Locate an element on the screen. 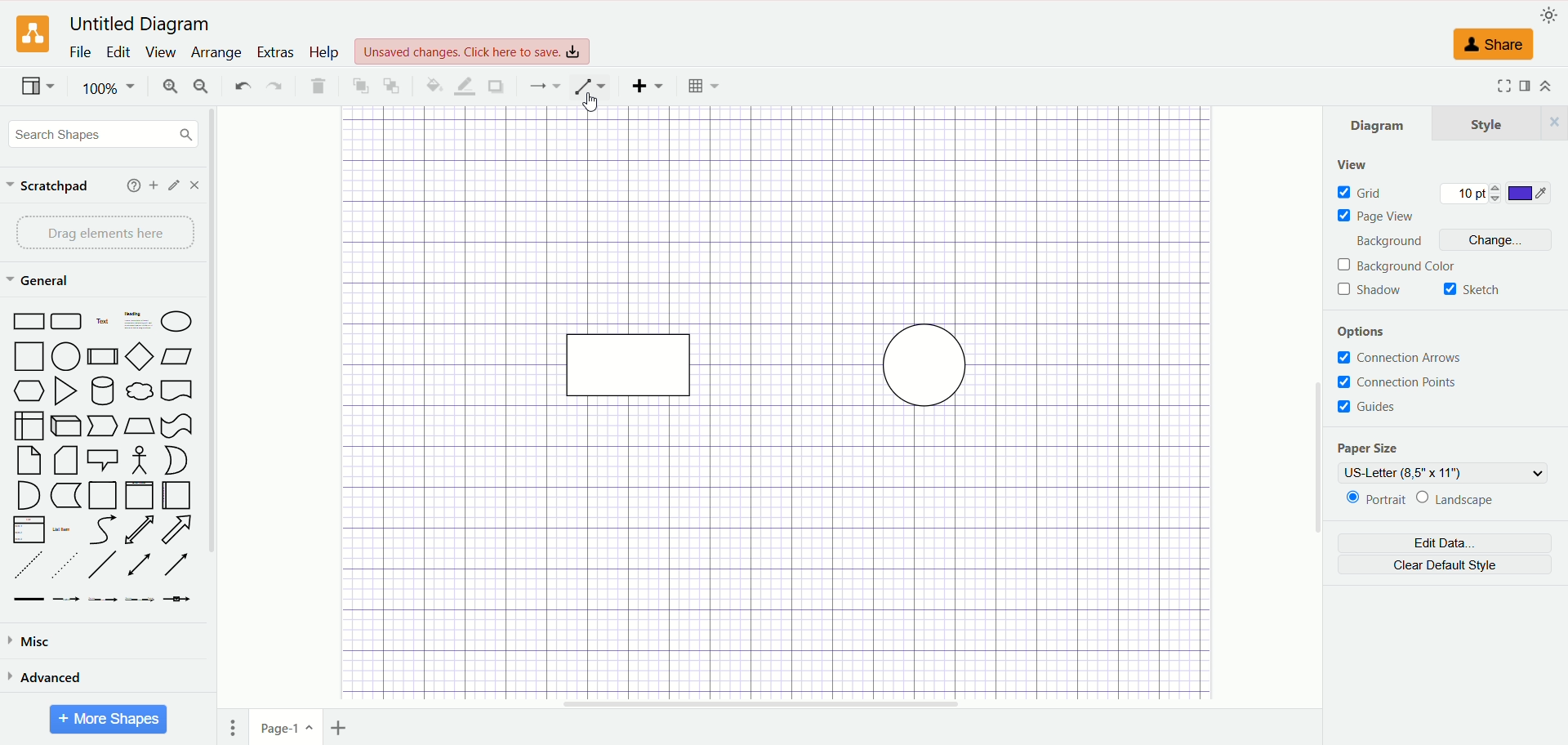 This screenshot has height=745, width=1568. diagram is located at coordinates (1378, 123).